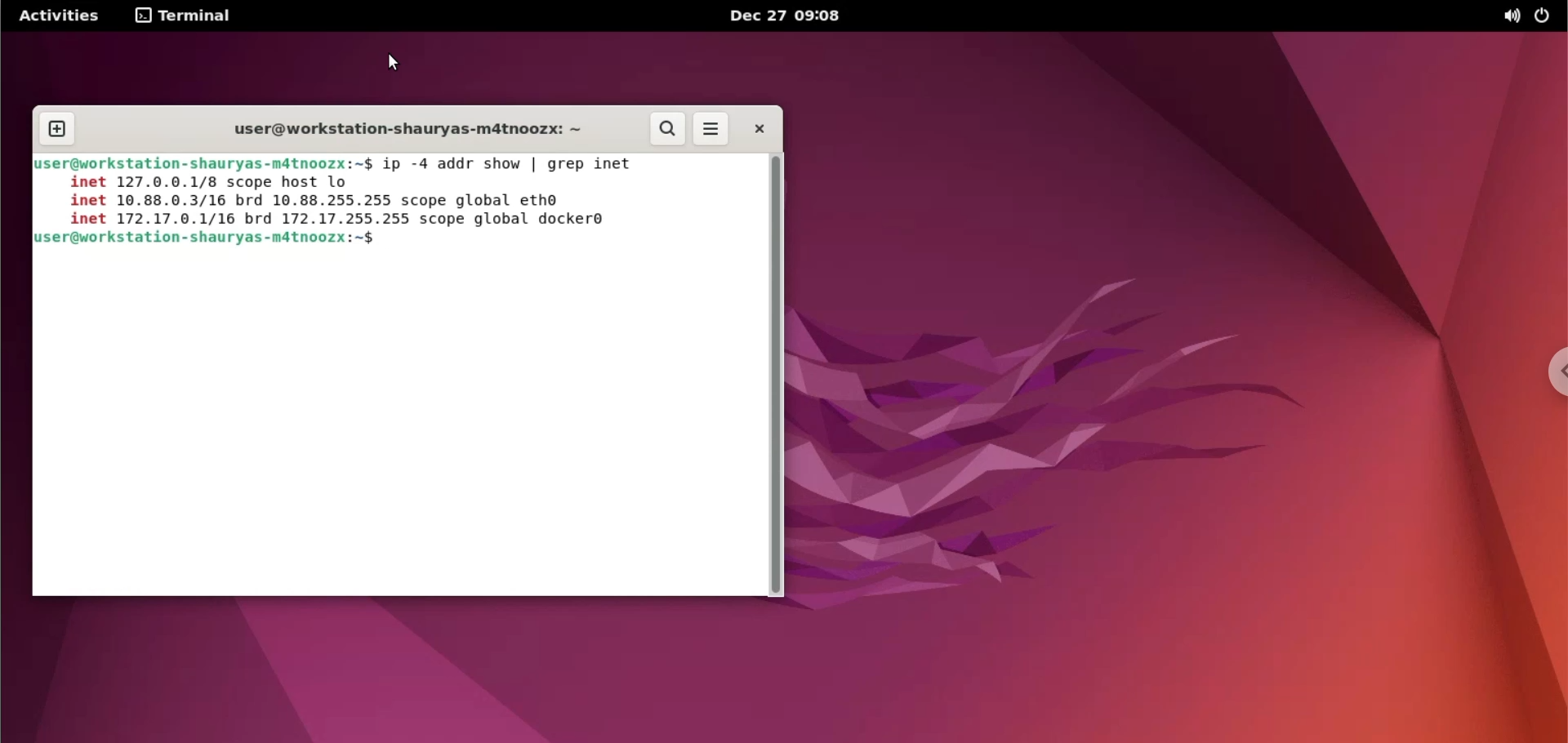 This screenshot has width=1568, height=743. Describe the element at coordinates (203, 162) in the screenshot. I see `user@workstation-shauryas-m4tnoozx:~$` at that location.